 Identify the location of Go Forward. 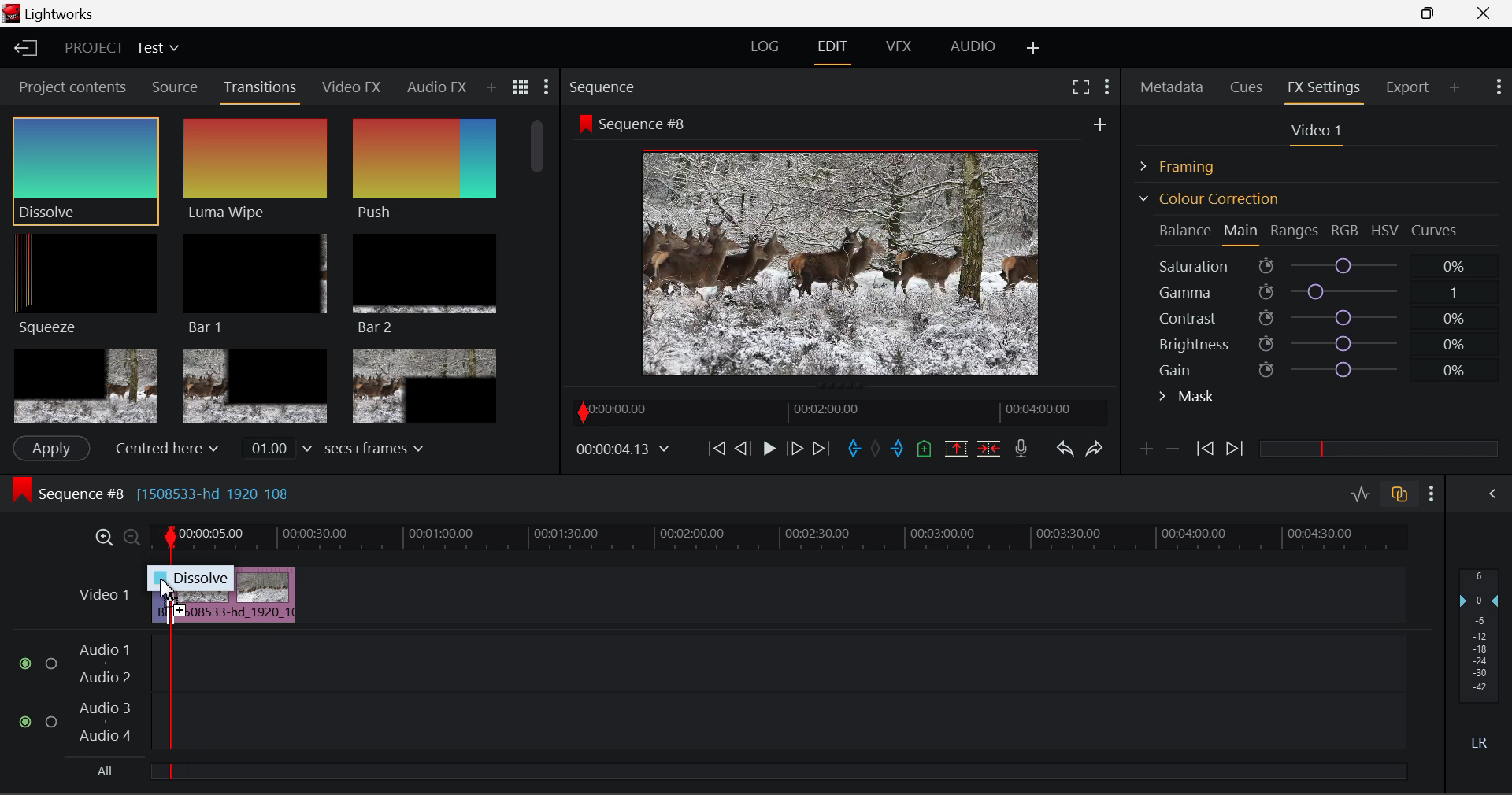
(795, 448).